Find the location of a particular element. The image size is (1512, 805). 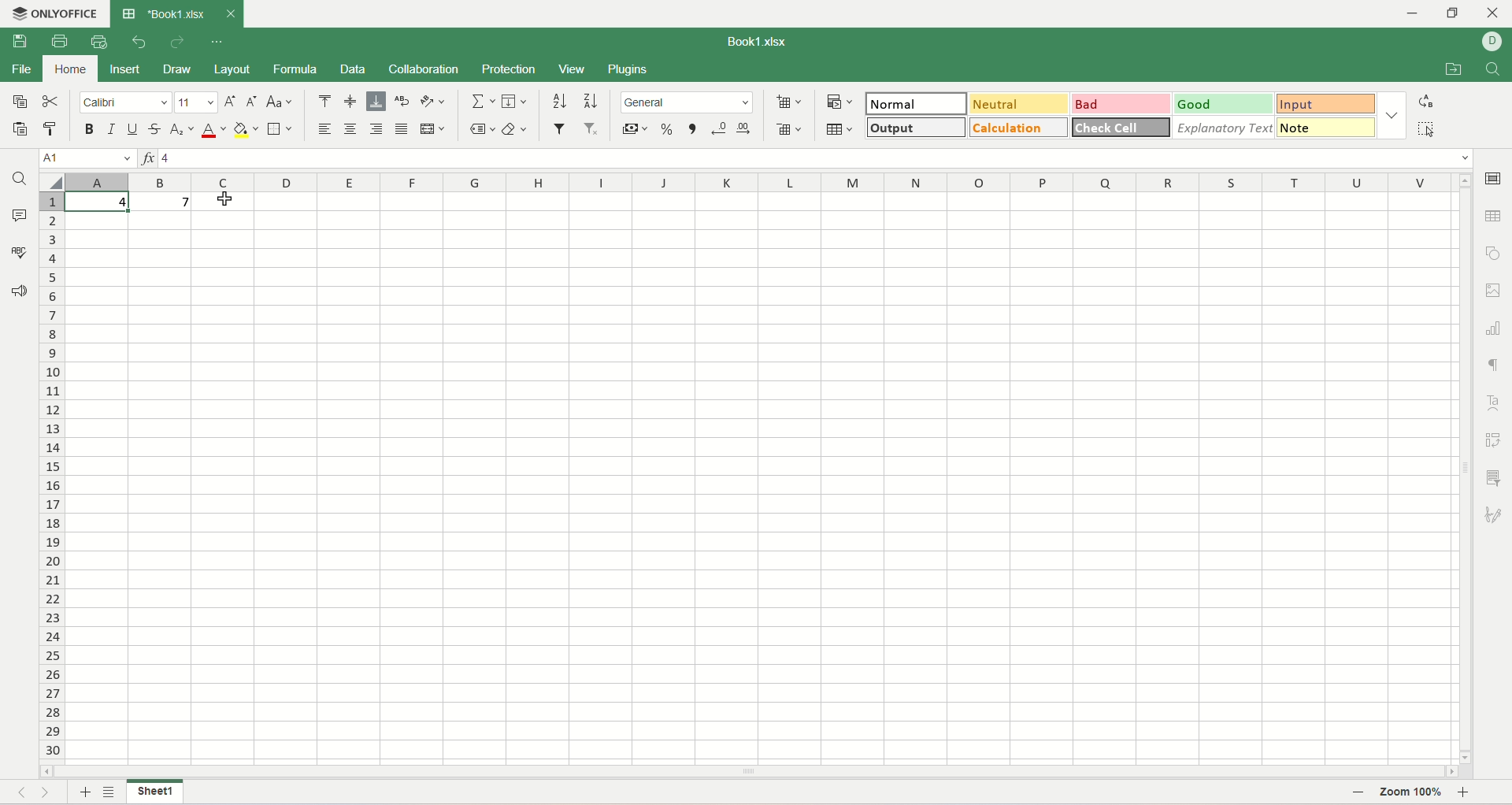

italic is located at coordinates (113, 129).